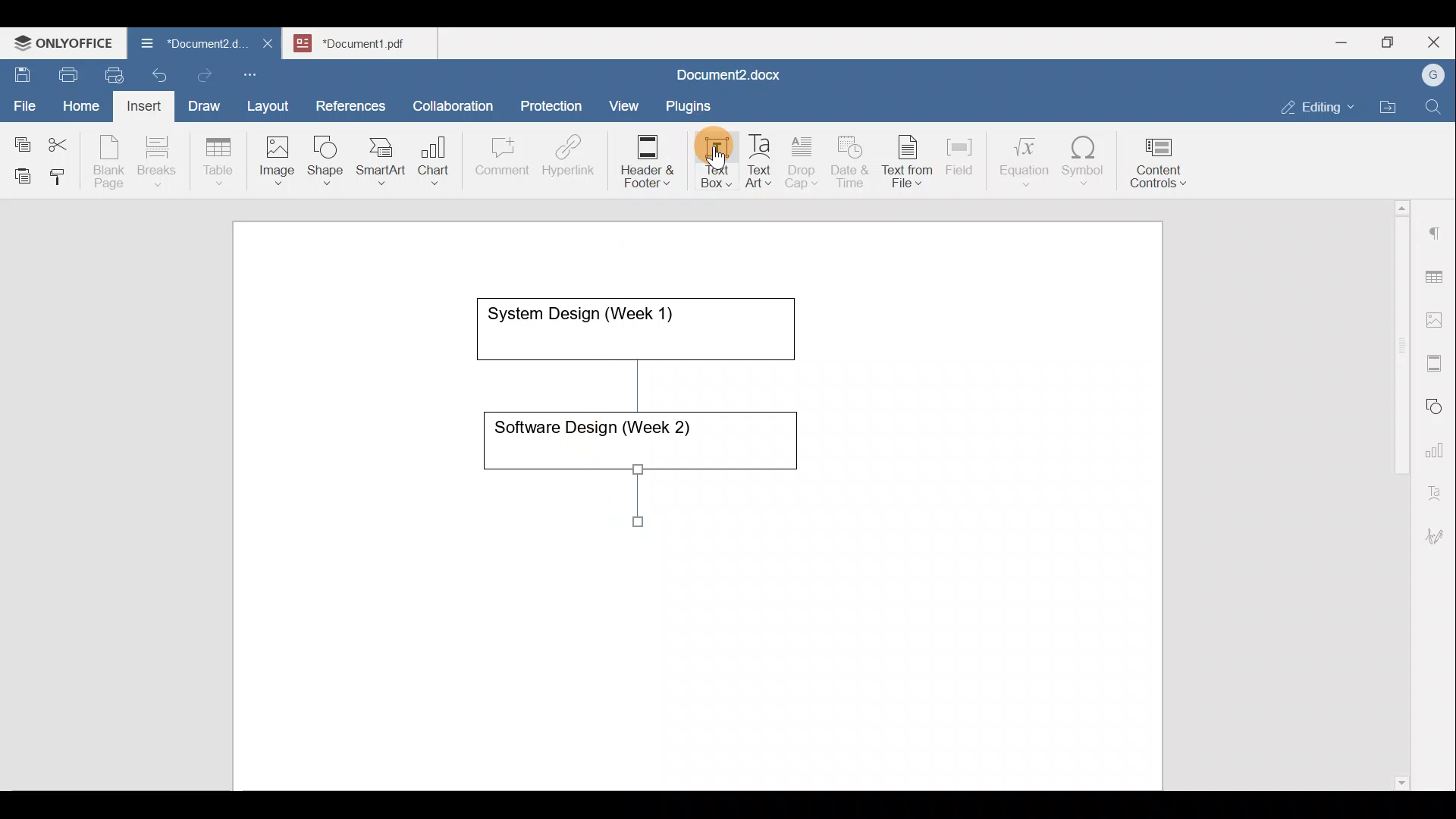 This screenshot has width=1456, height=819. I want to click on Text from file, so click(910, 160).